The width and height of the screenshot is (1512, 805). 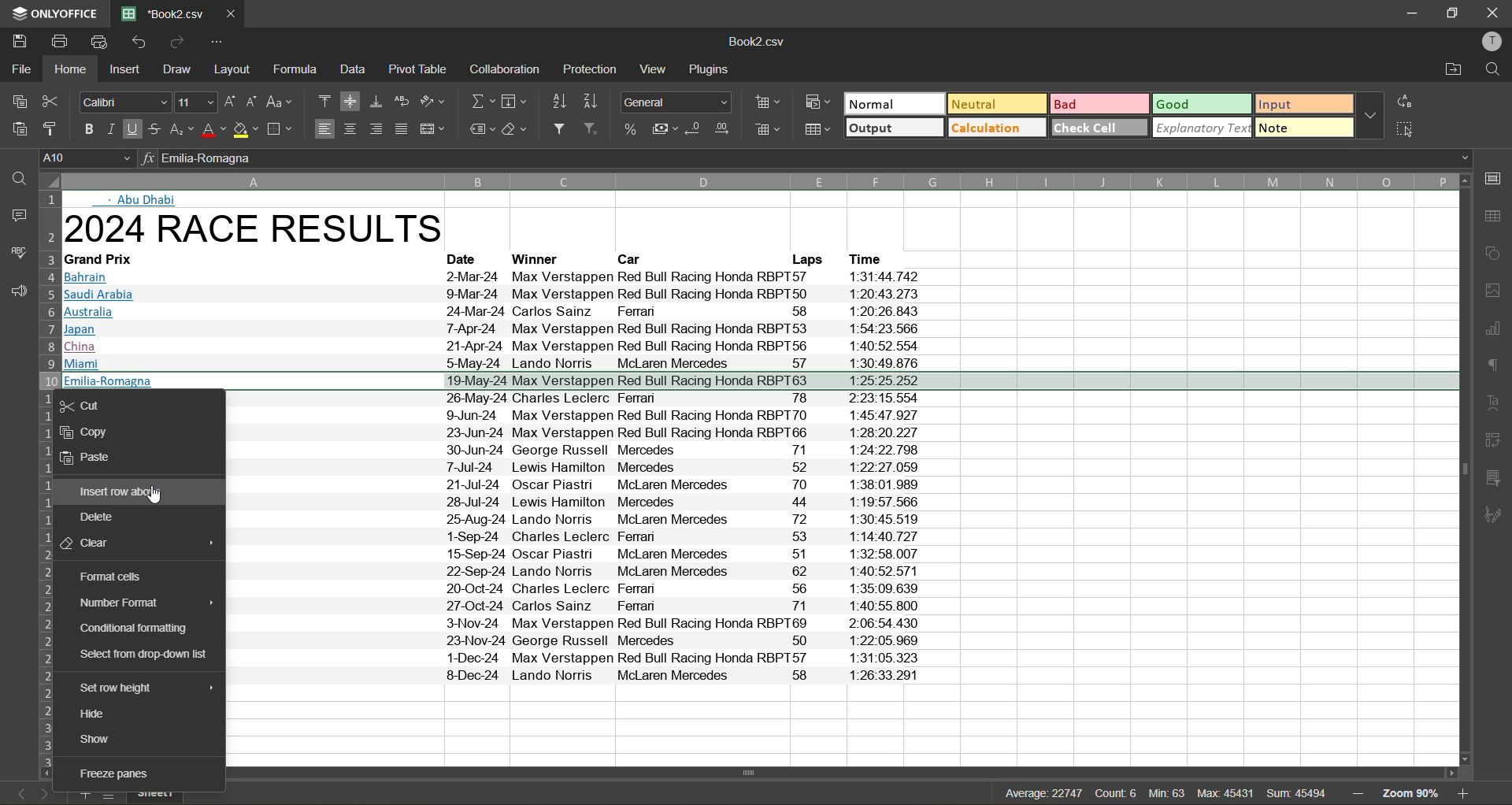 I want to click on Canada 9-Jun-24 Max Verstappen Red Bull Racing Honda RBPT70 1:45:47 927, so click(x=575, y=417).